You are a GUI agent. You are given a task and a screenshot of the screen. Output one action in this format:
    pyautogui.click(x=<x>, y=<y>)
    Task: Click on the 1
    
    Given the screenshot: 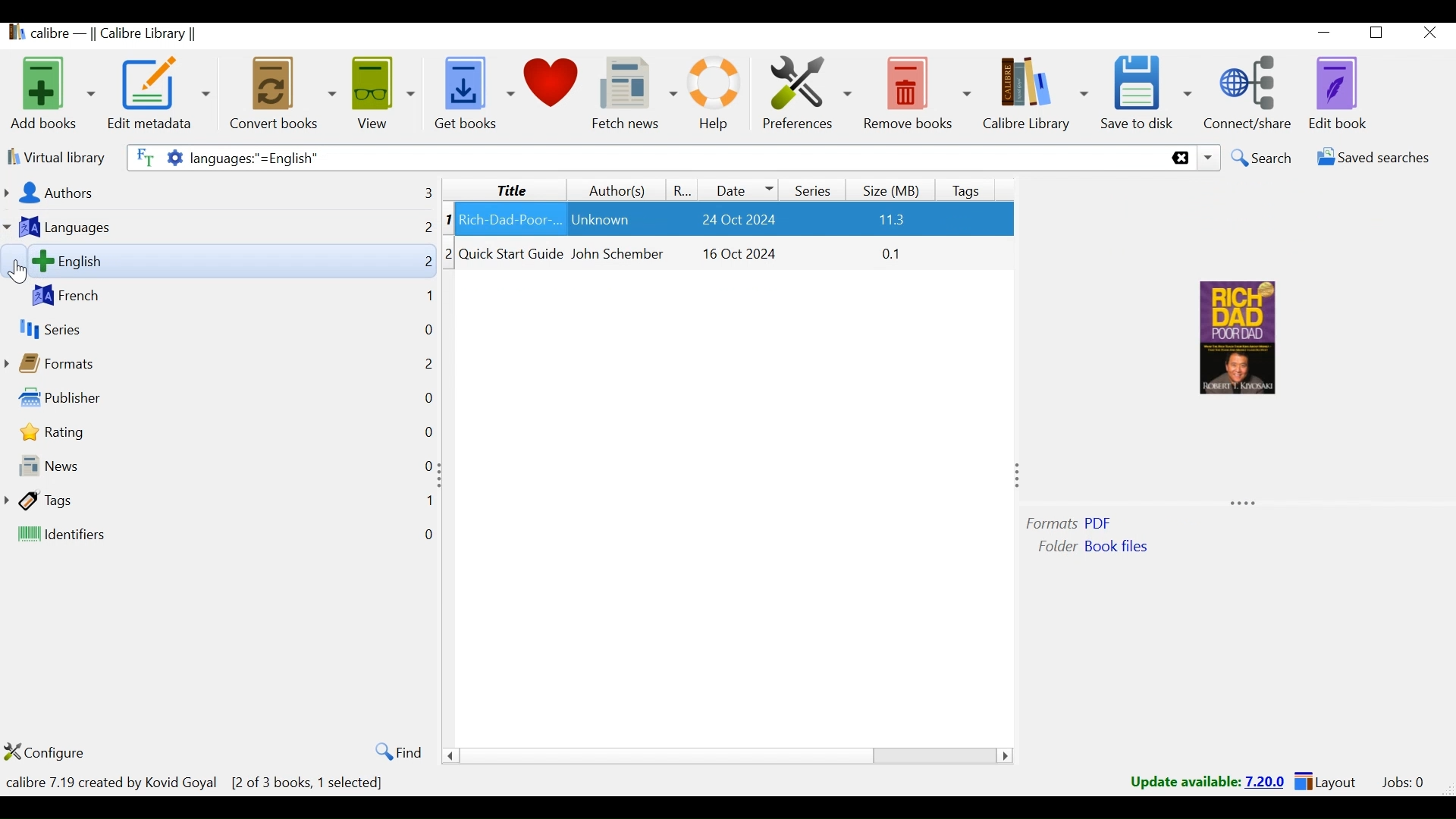 What is the action you would take?
    pyautogui.click(x=427, y=502)
    